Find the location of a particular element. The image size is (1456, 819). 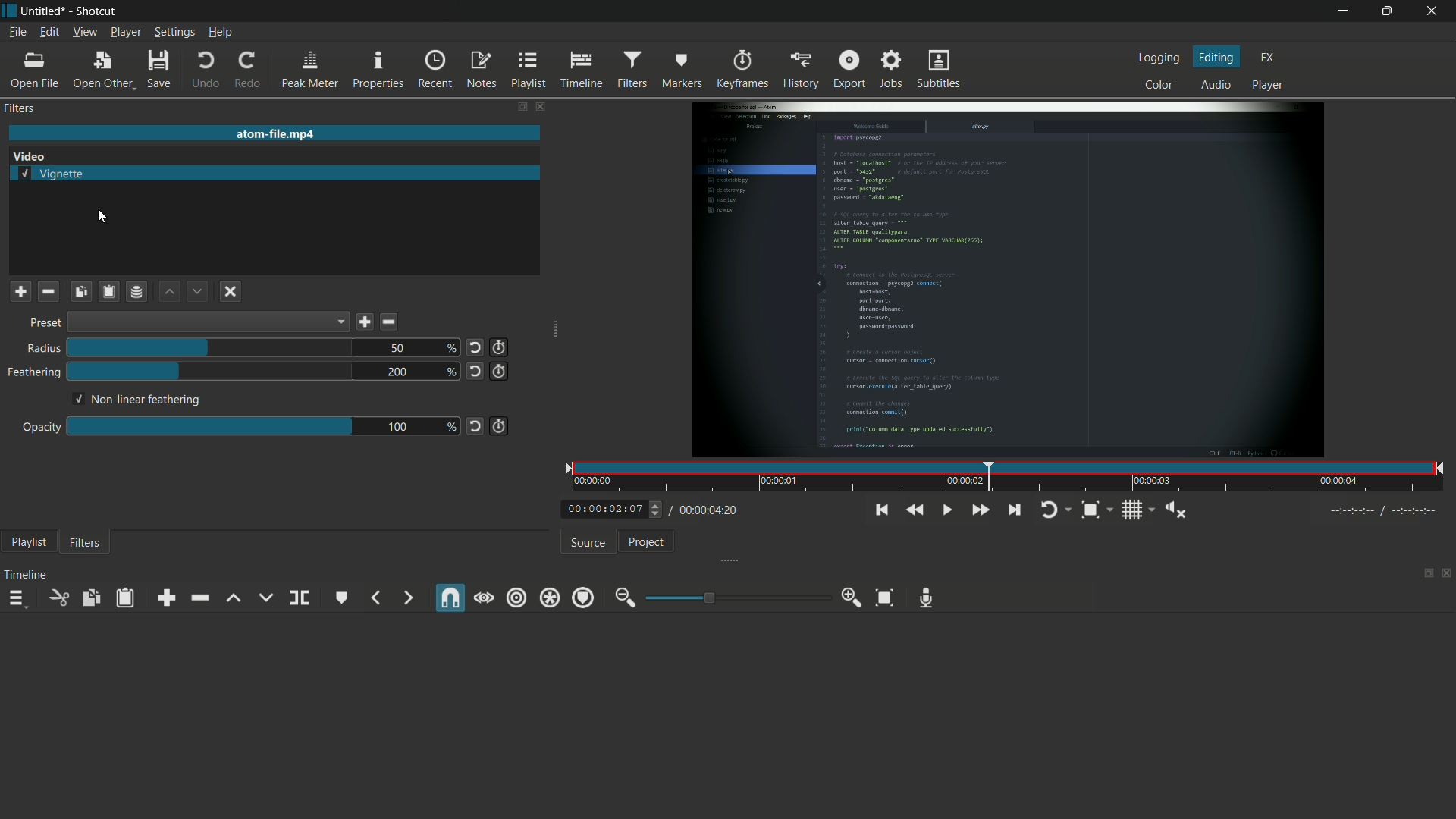

settings menu is located at coordinates (174, 32).